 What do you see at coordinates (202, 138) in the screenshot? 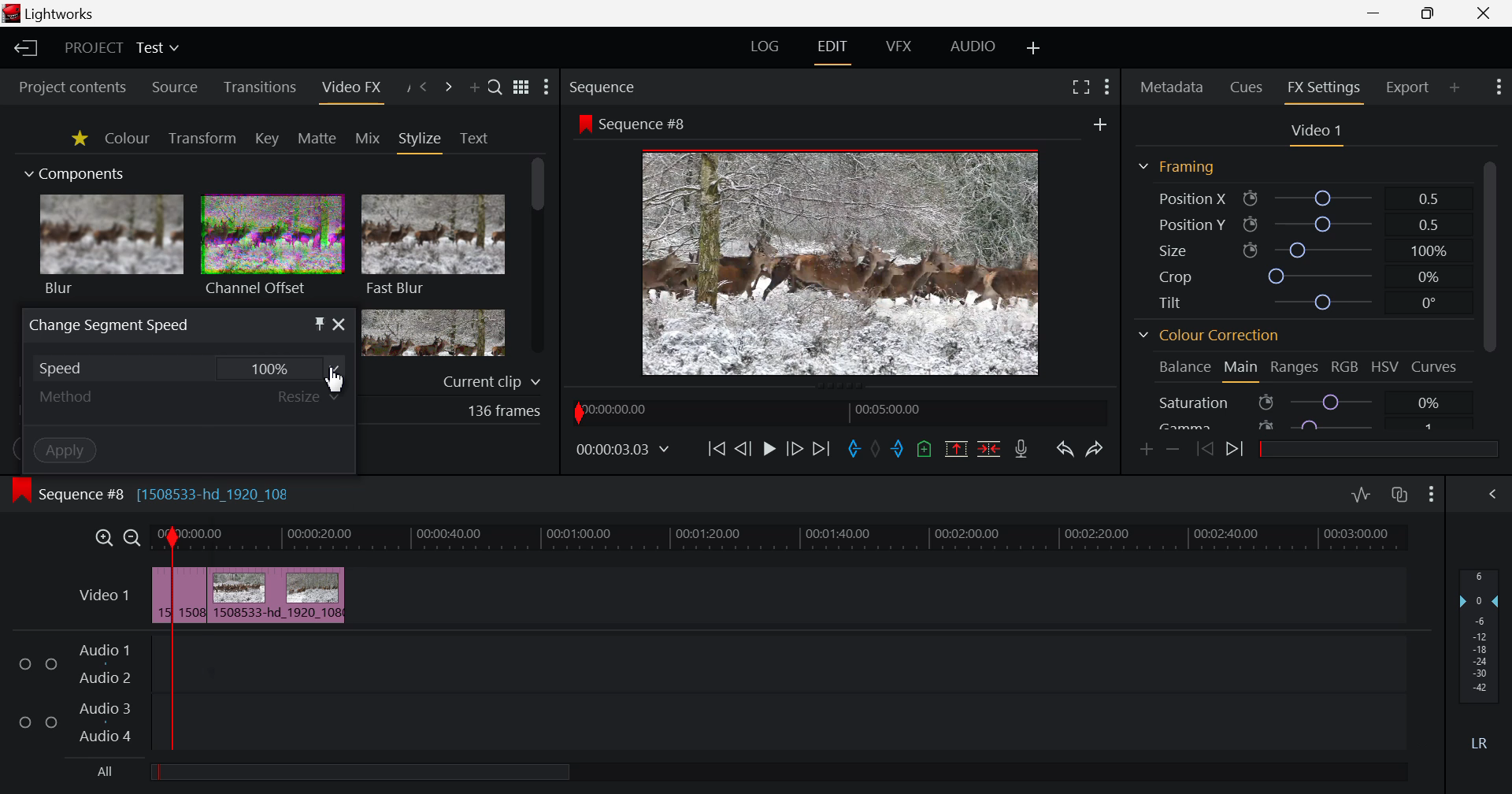
I see `Transform` at bounding box center [202, 138].